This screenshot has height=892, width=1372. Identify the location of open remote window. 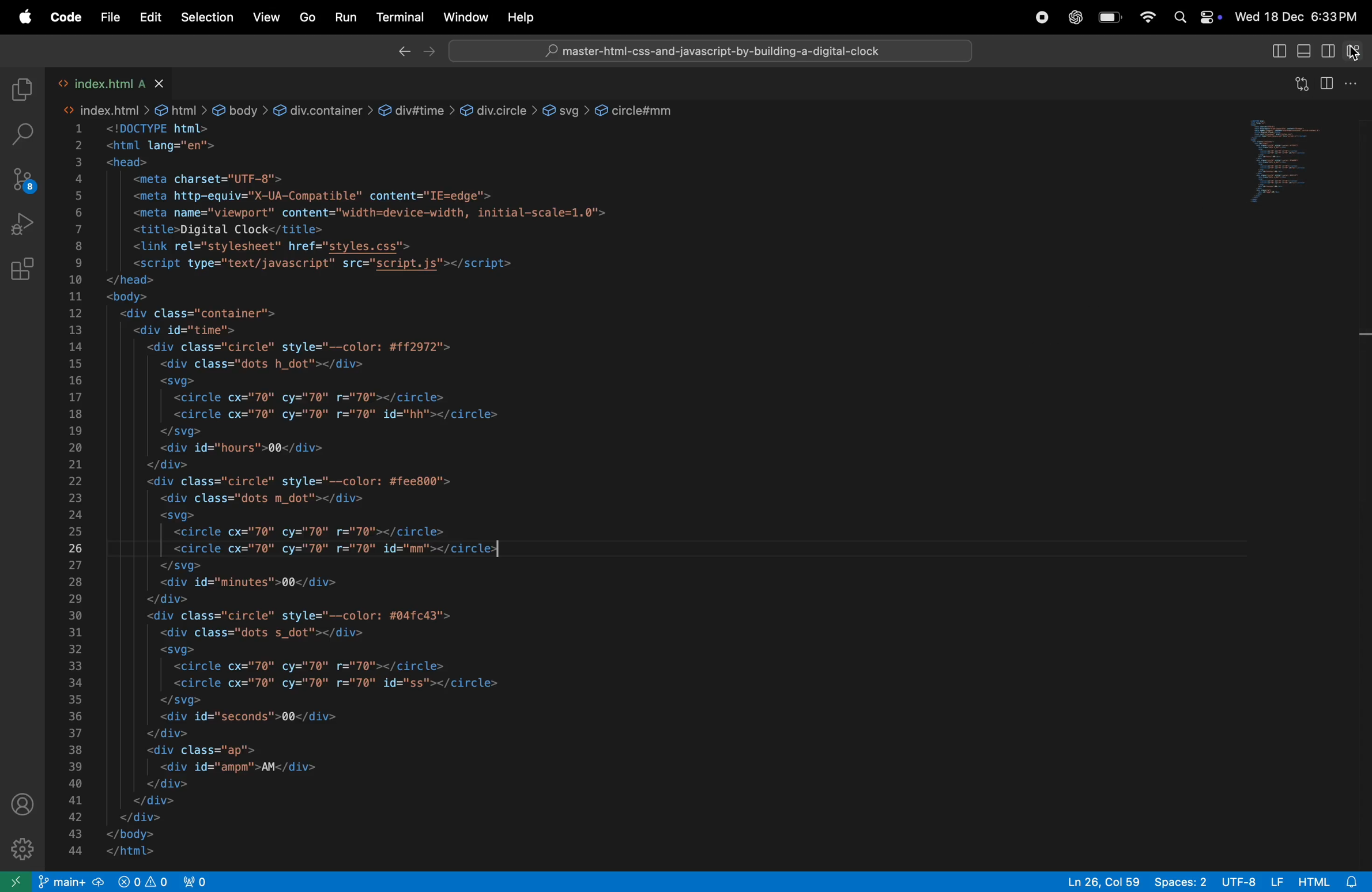
(18, 881).